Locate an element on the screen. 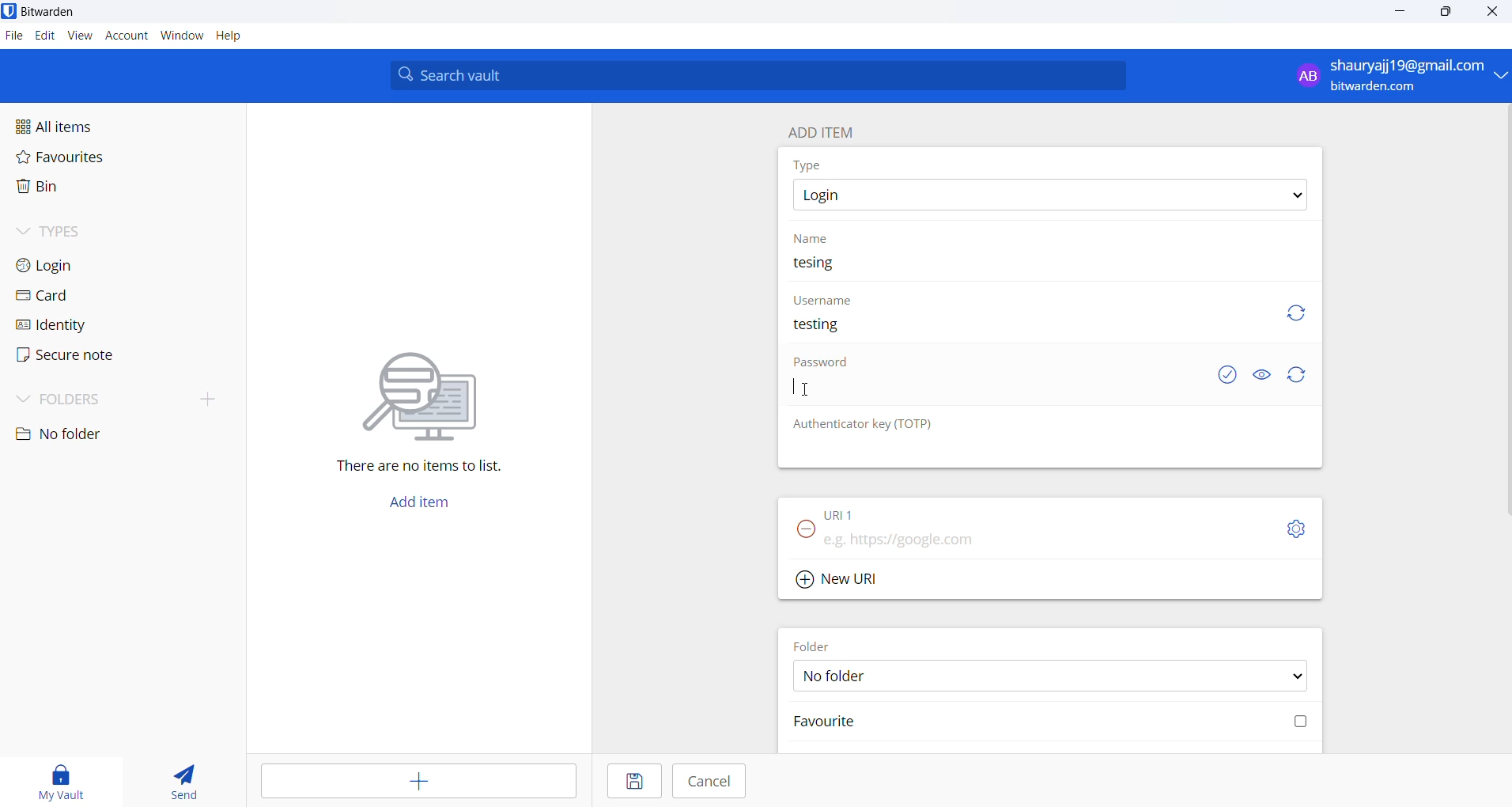  URL input box is located at coordinates (1038, 538).